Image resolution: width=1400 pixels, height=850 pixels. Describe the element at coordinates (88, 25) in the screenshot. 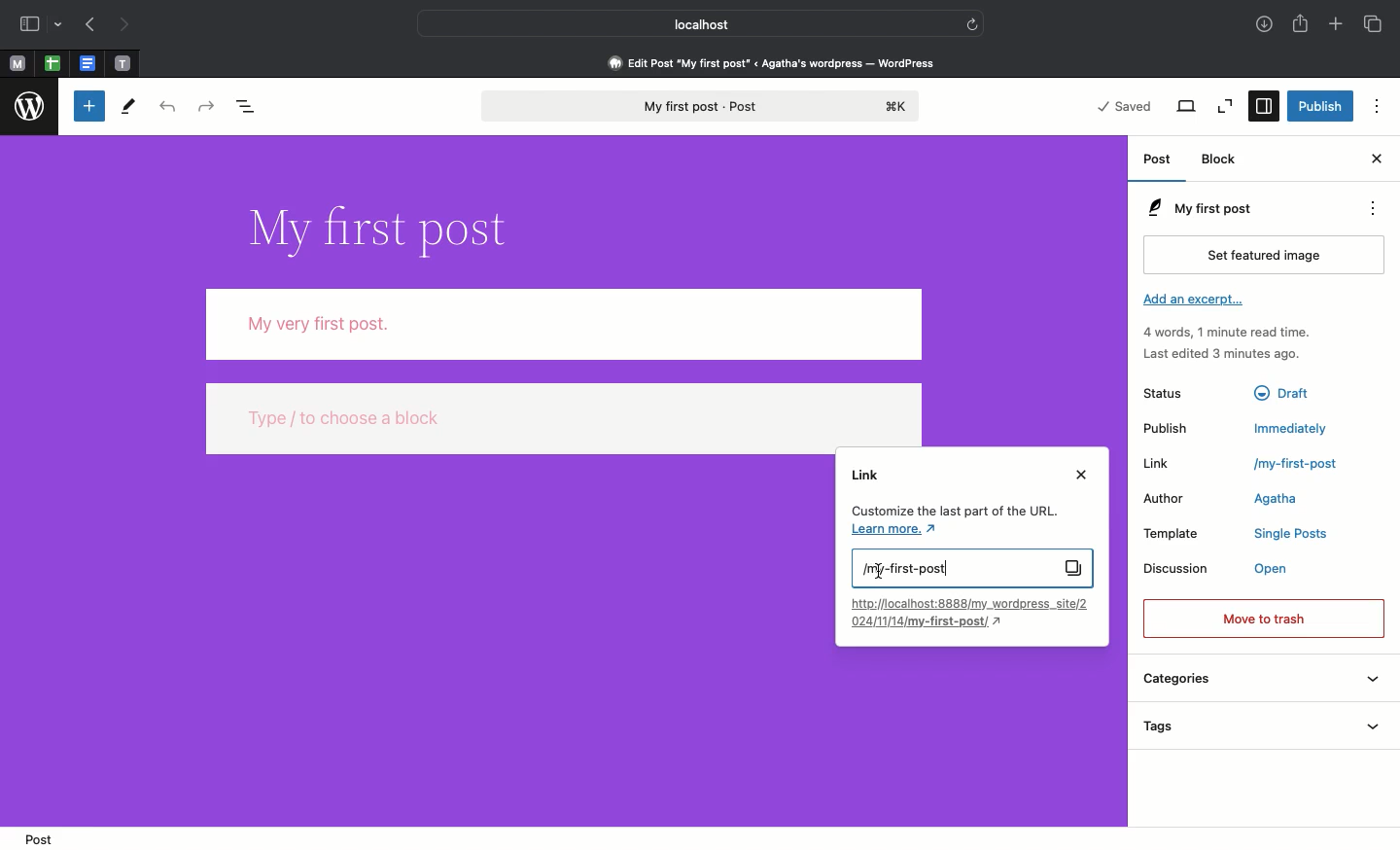

I see `Previous page` at that location.